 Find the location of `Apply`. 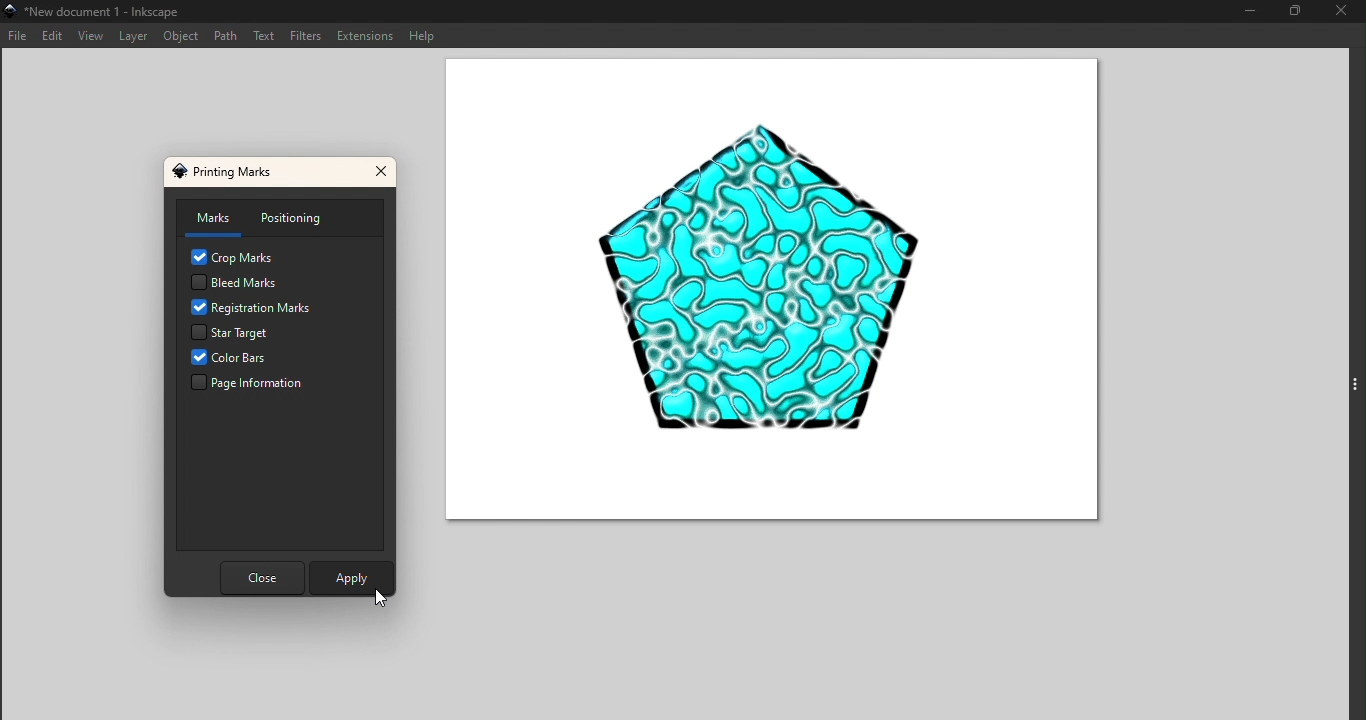

Apply is located at coordinates (347, 575).